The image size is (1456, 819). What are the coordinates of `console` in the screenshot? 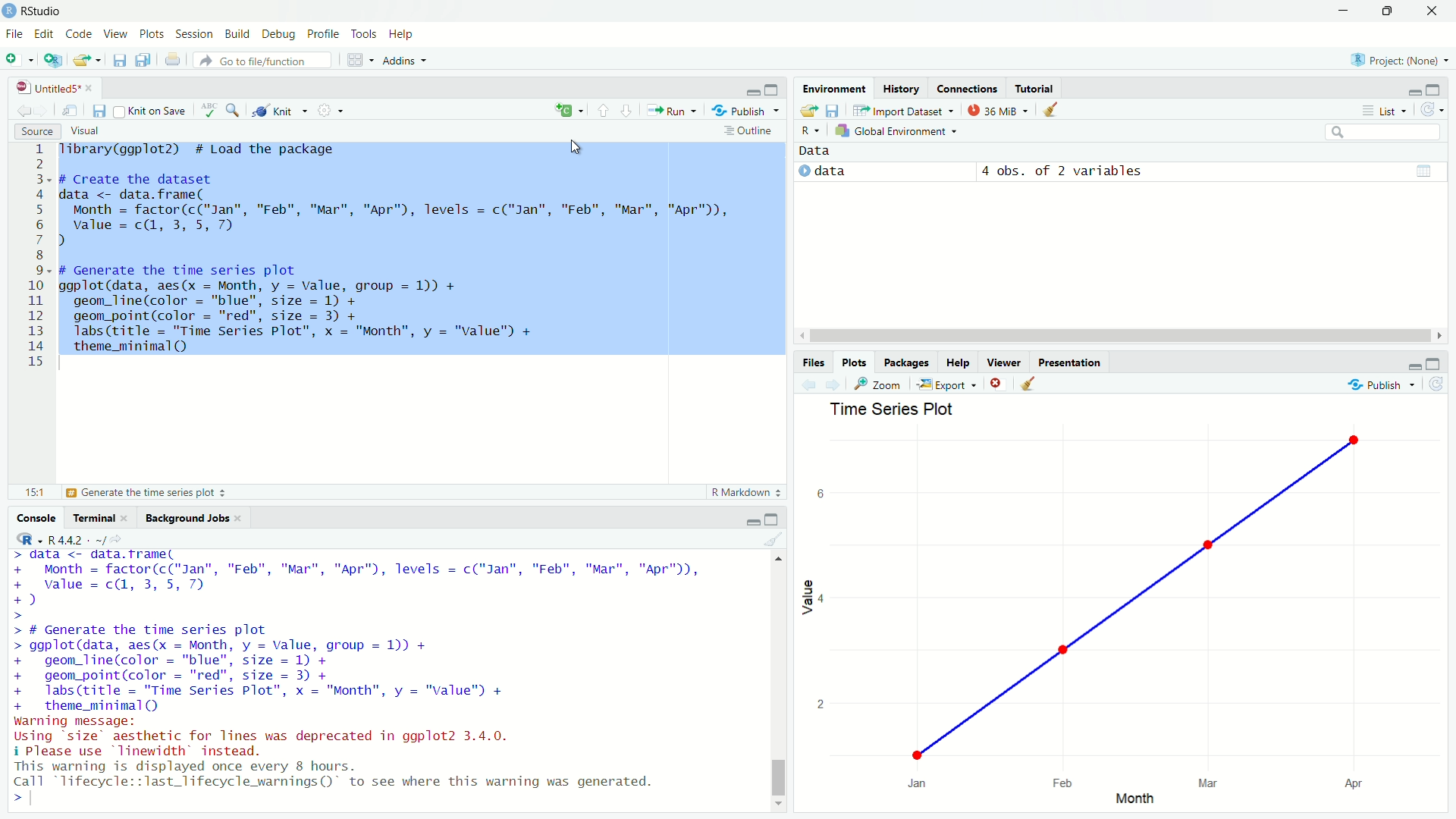 It's located at (32, 517).